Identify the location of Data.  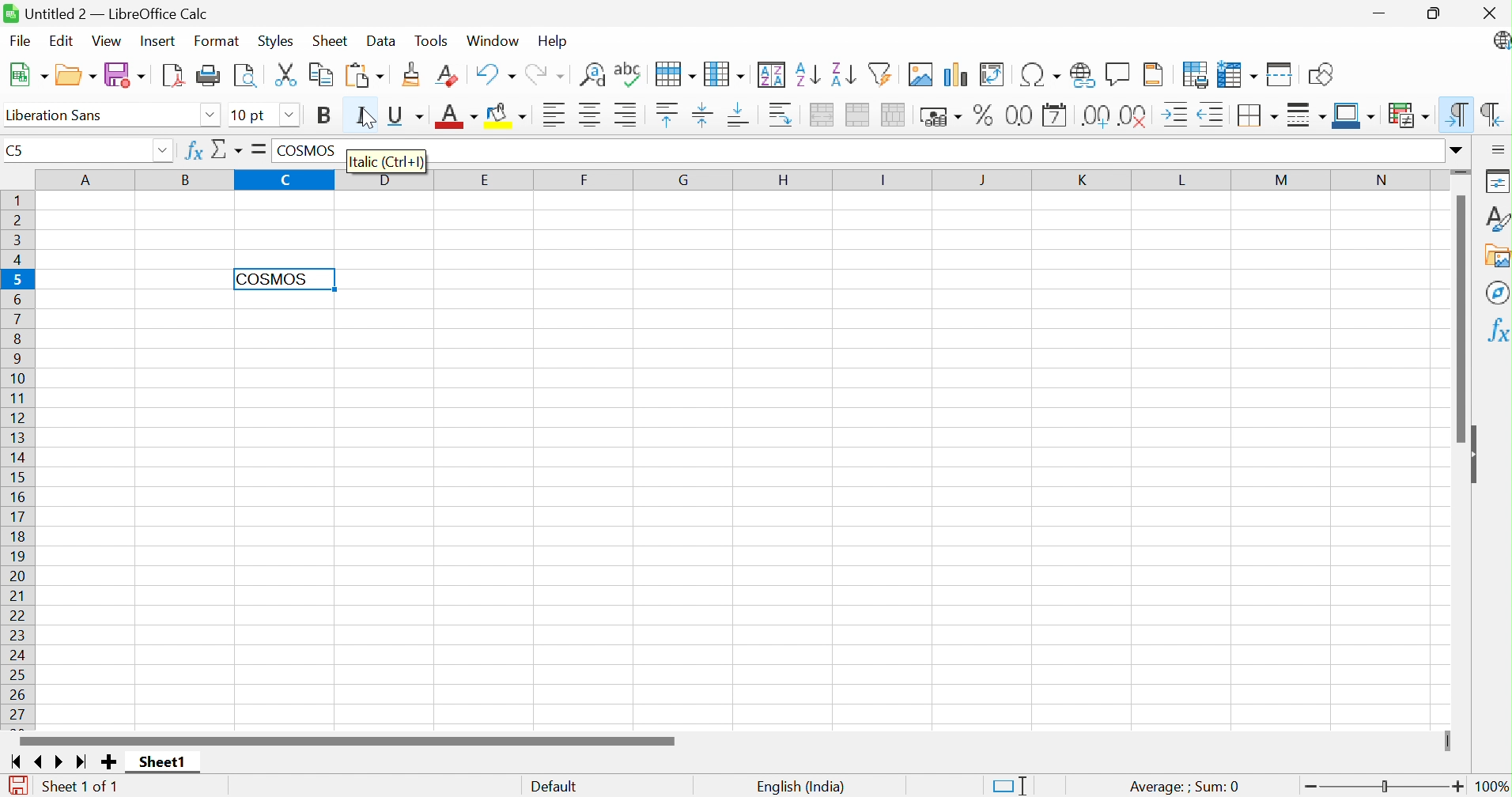
(381, 40).